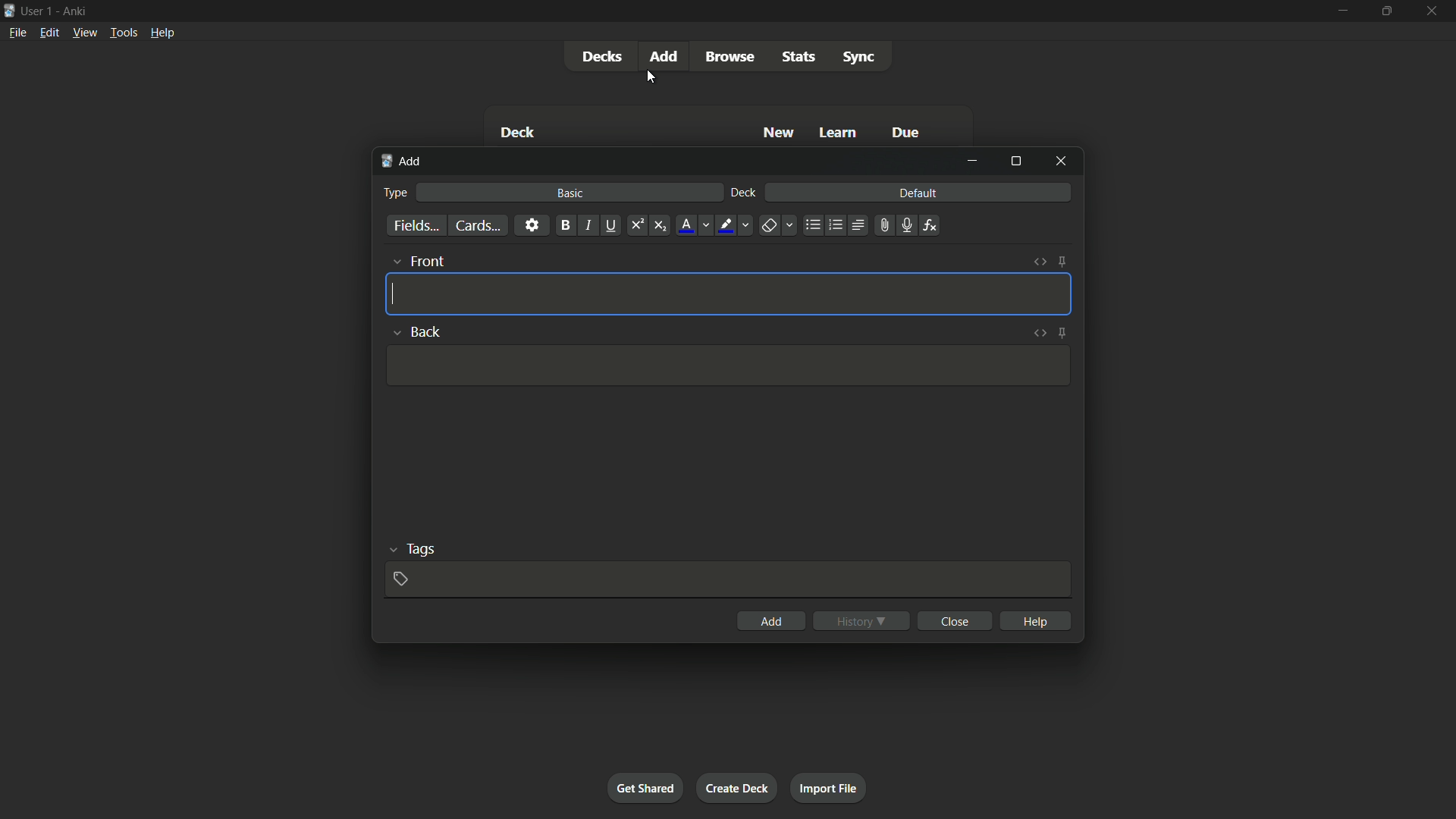 The image size is (1456, 819). I want to click on maximize, so click(1385, 11).